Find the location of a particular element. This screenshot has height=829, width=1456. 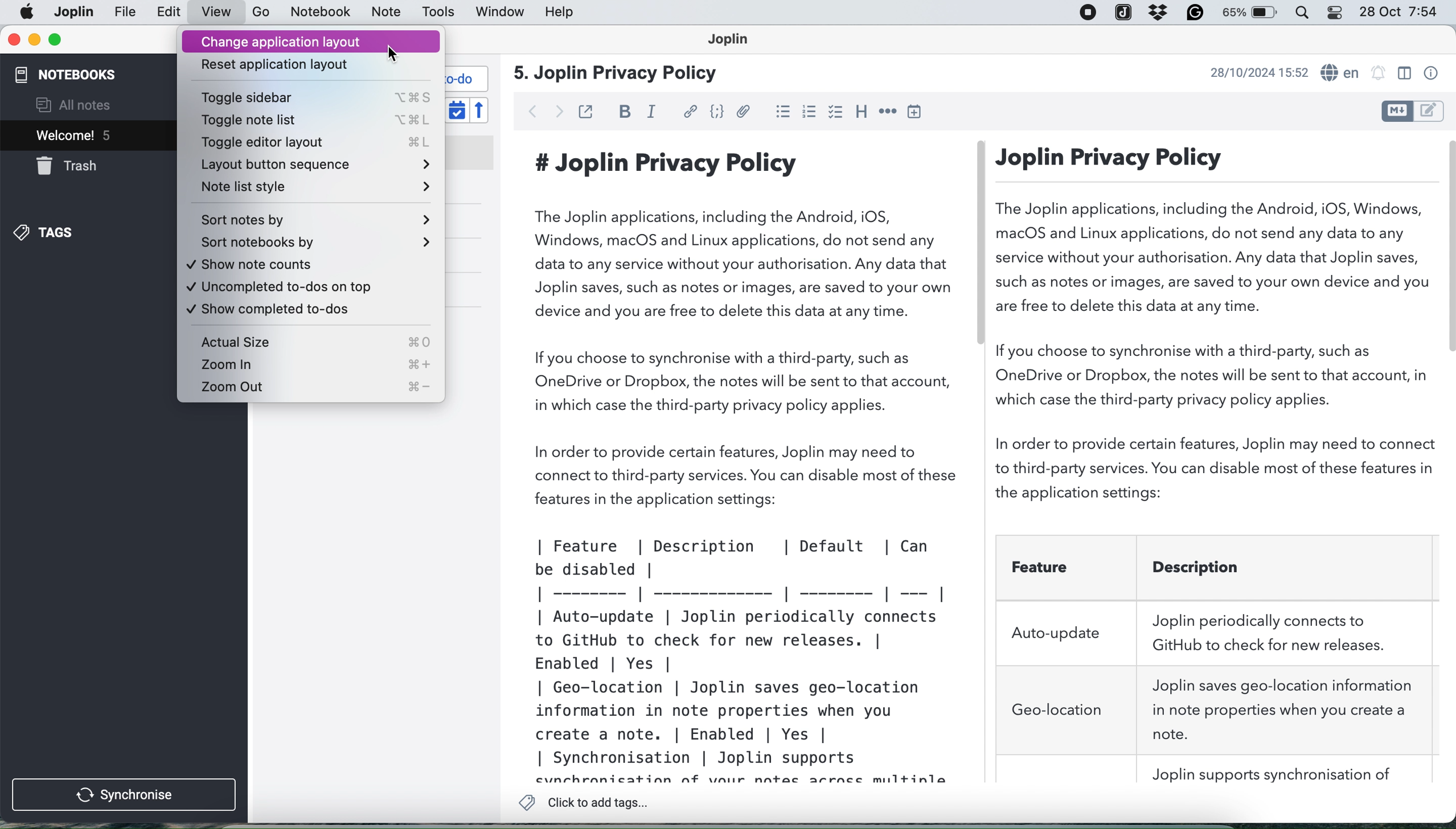

Show completed to-dos is located at coordinates (310, 313).